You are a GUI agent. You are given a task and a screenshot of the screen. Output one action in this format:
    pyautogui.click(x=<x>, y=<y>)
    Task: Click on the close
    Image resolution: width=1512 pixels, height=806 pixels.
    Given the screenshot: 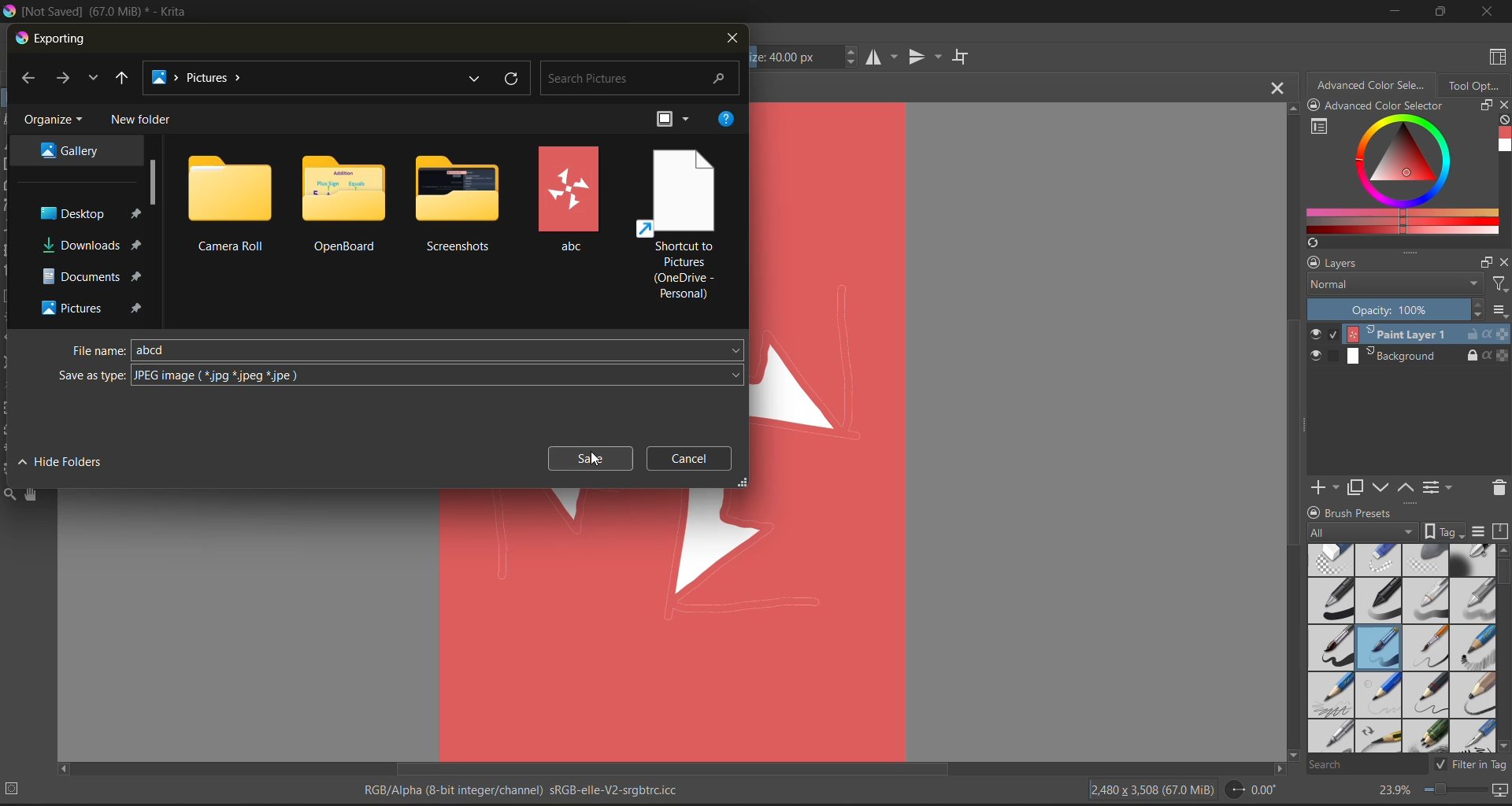 What is the action you would take?
    pyautogui.click(x=1487, y=13)
    